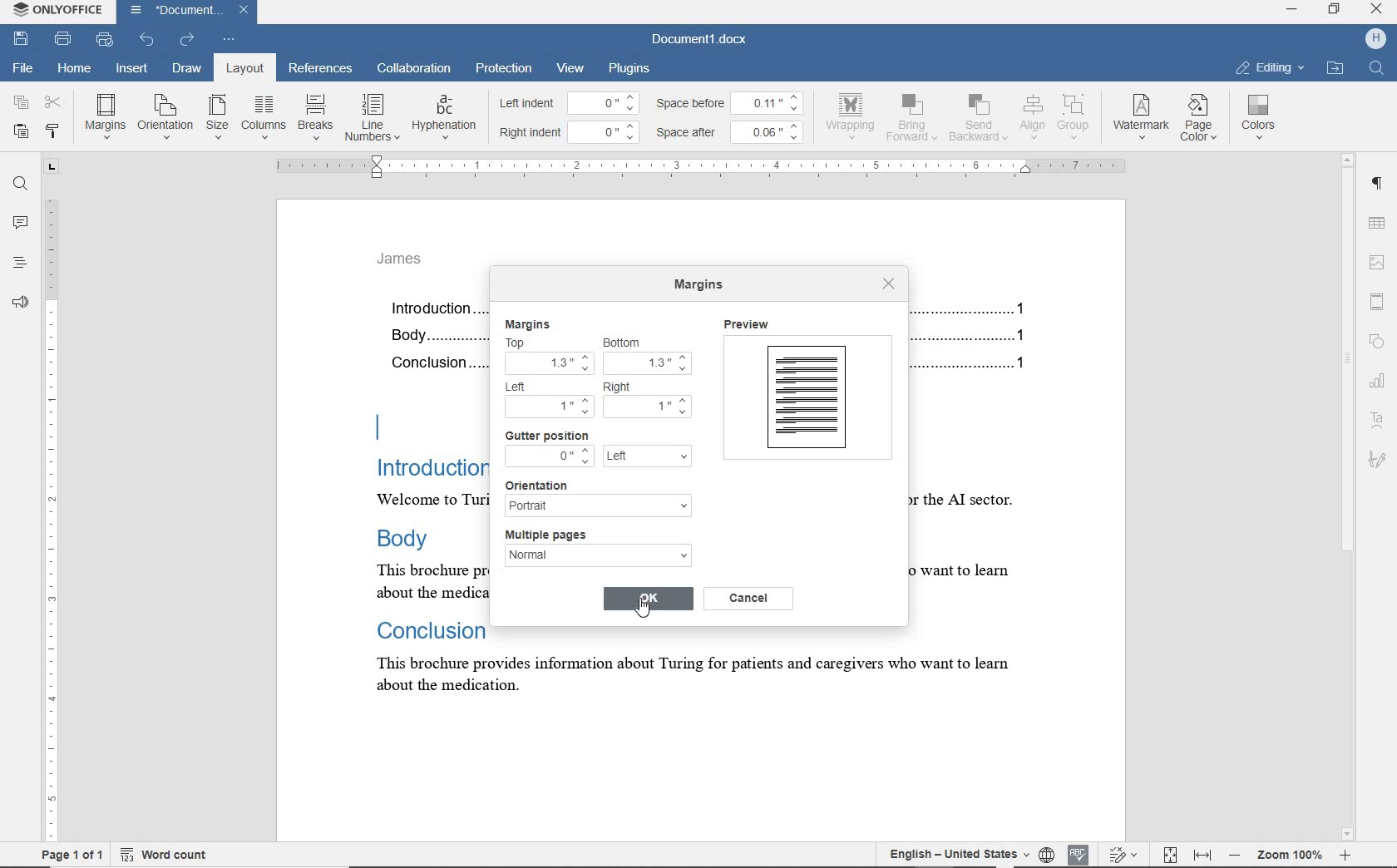  What do you see at coordinates (1348, 497) in the screenshot?
I see `scrollbar` at bounding box center [1348, 497].